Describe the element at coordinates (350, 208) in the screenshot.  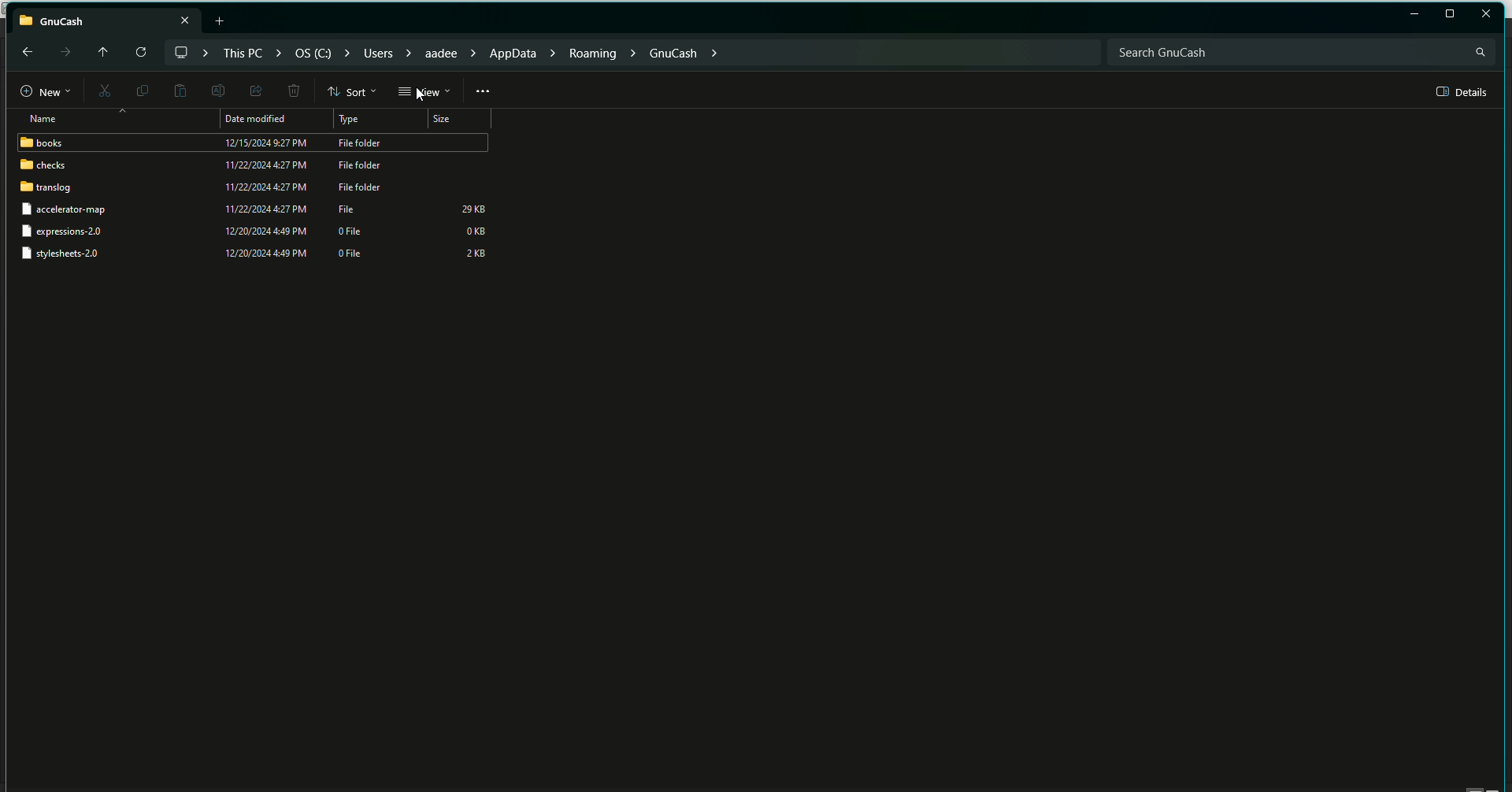
I see `File` at that location.